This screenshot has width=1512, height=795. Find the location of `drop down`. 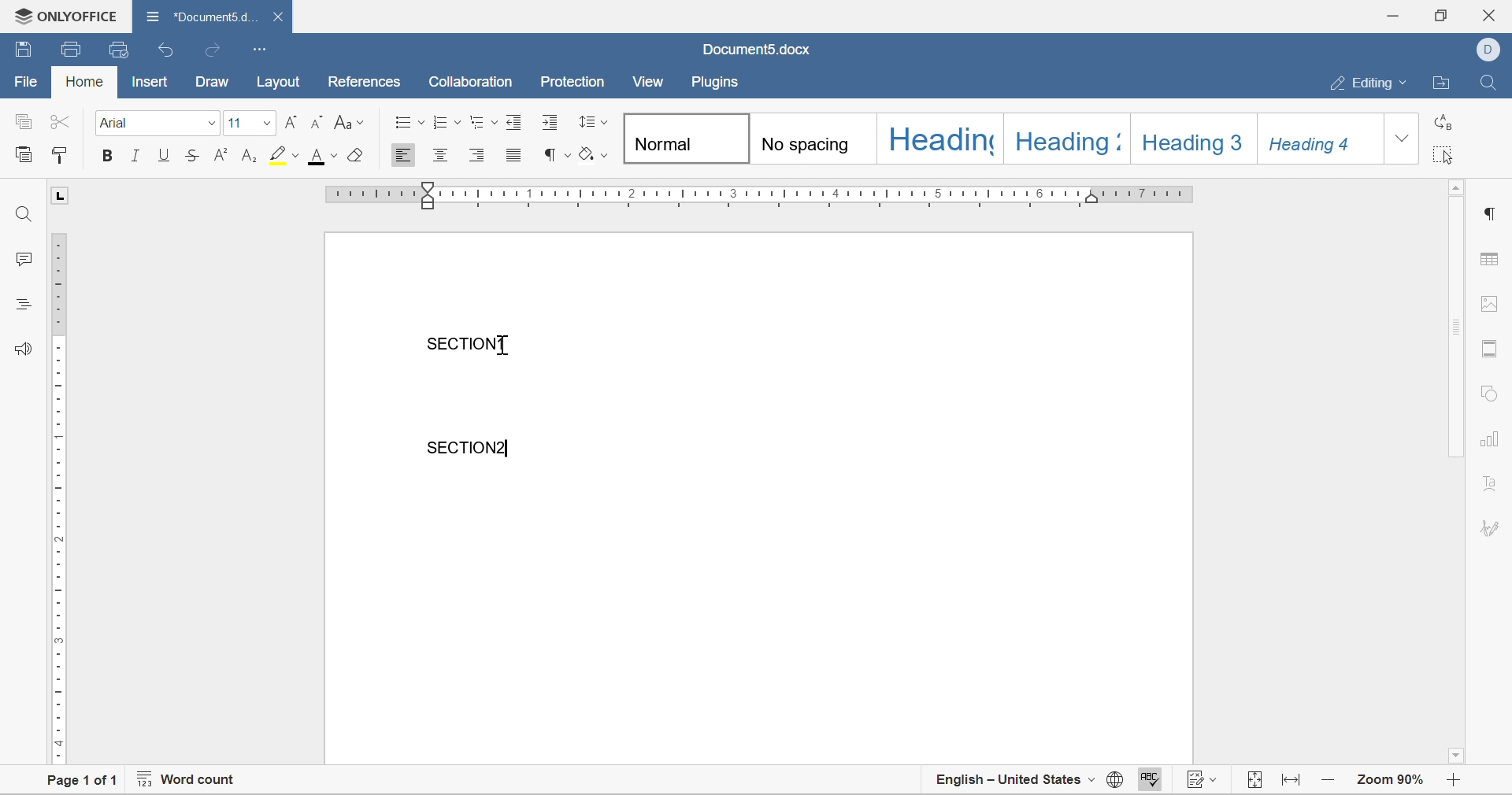

drop down is located at coordinates (264, 122).